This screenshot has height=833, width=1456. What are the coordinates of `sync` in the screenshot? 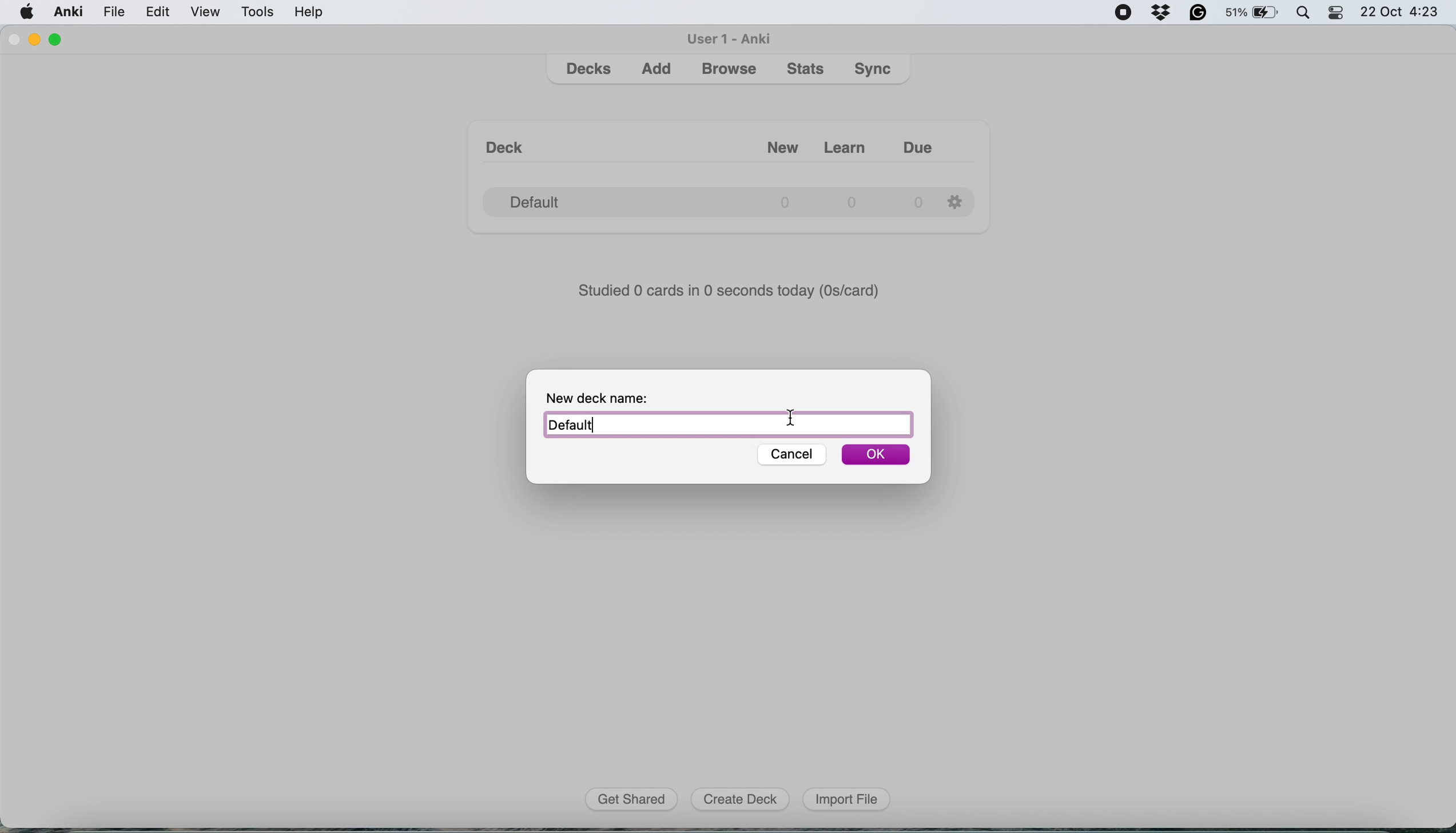 It's located at (875, 70).